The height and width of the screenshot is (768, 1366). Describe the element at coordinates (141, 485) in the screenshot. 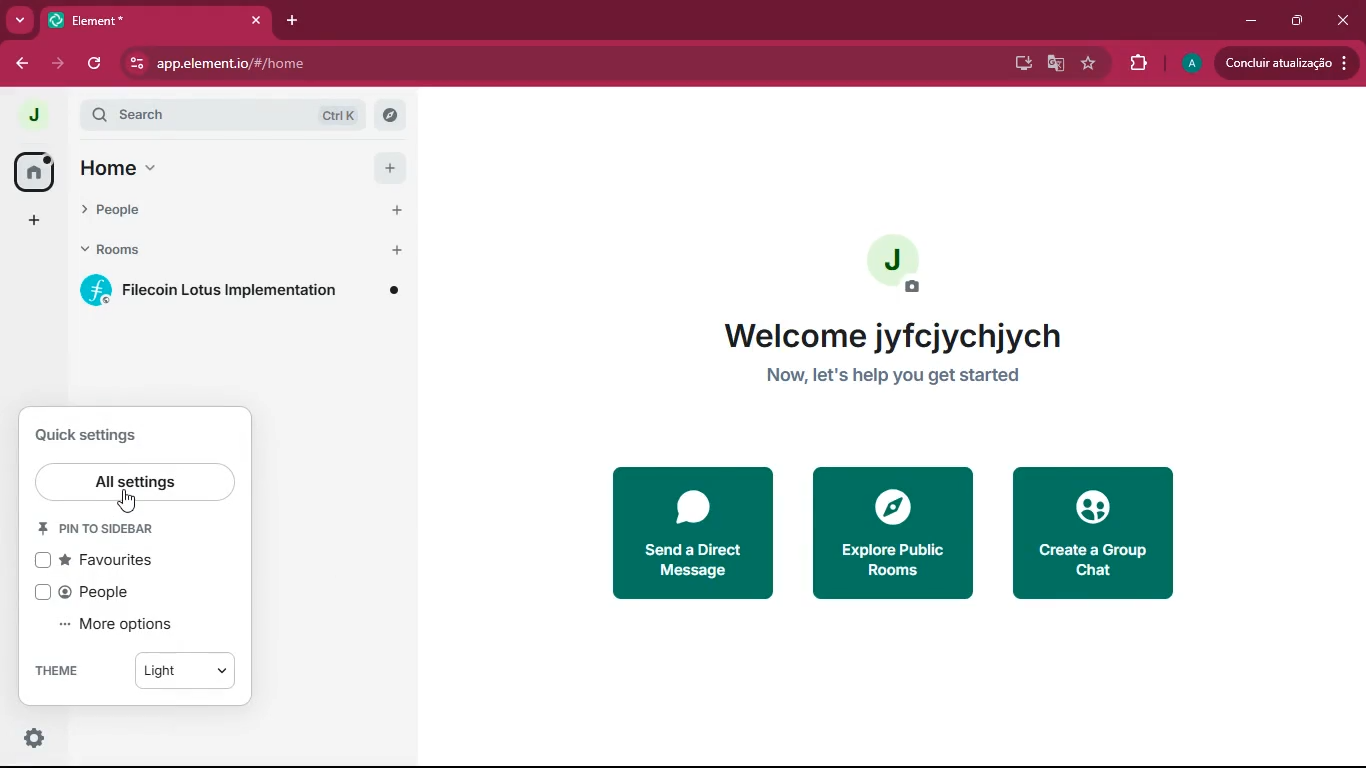

I see `all settings` at that location.